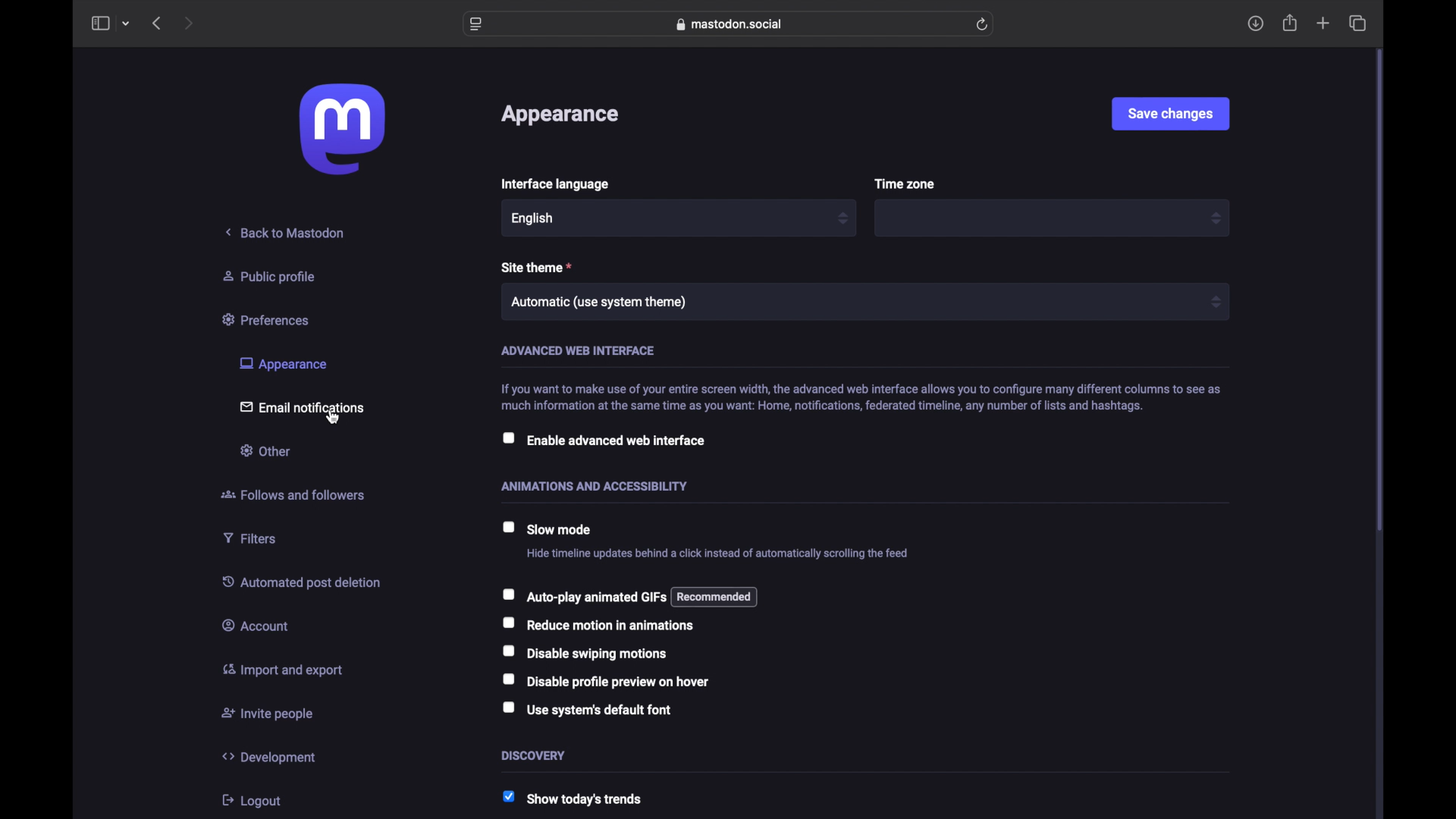 The image size is (1456, 819). I want to click on cursor, so click(335, 419).